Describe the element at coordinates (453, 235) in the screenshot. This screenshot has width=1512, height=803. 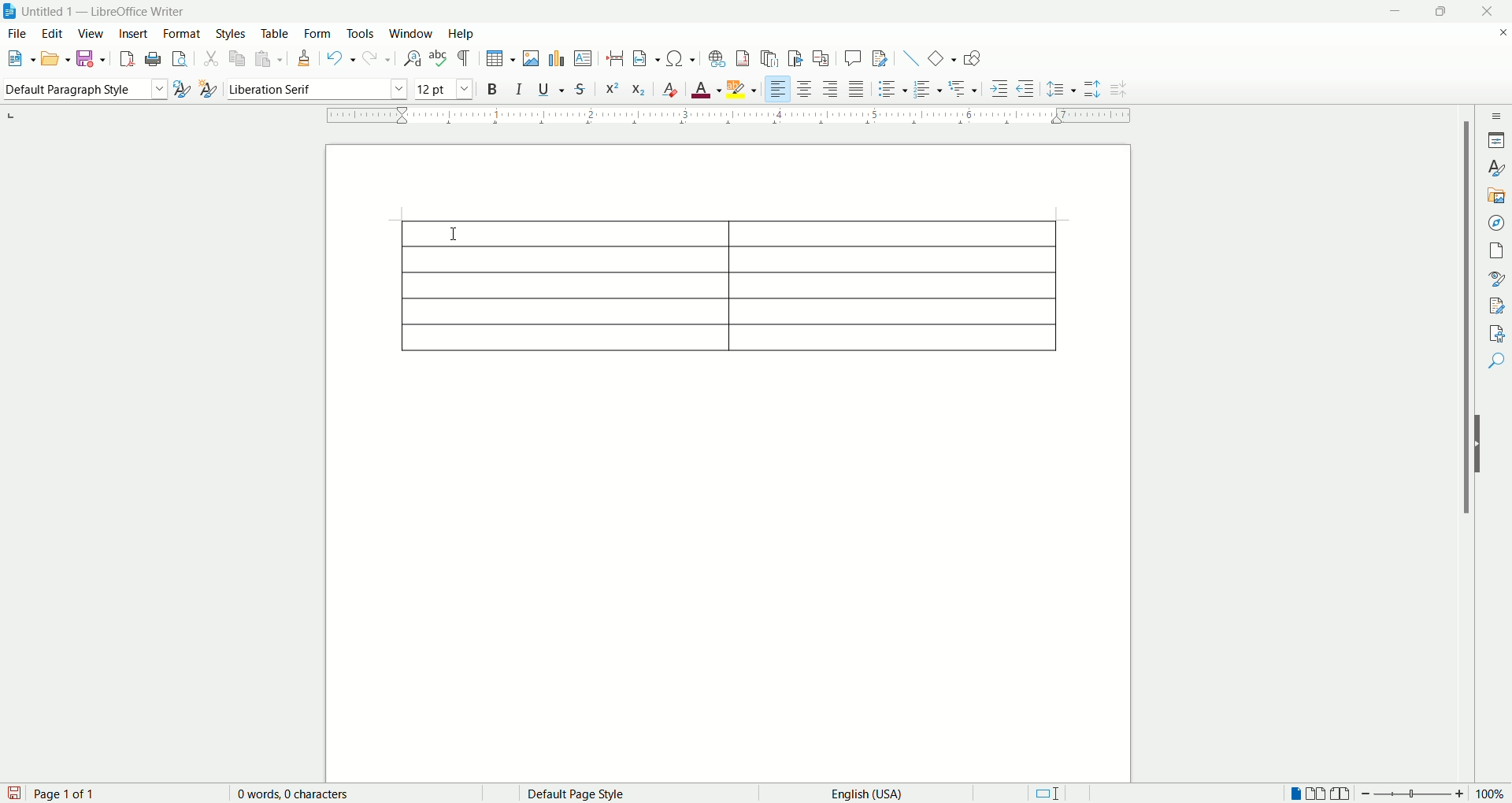
I see `cursor` at that location.